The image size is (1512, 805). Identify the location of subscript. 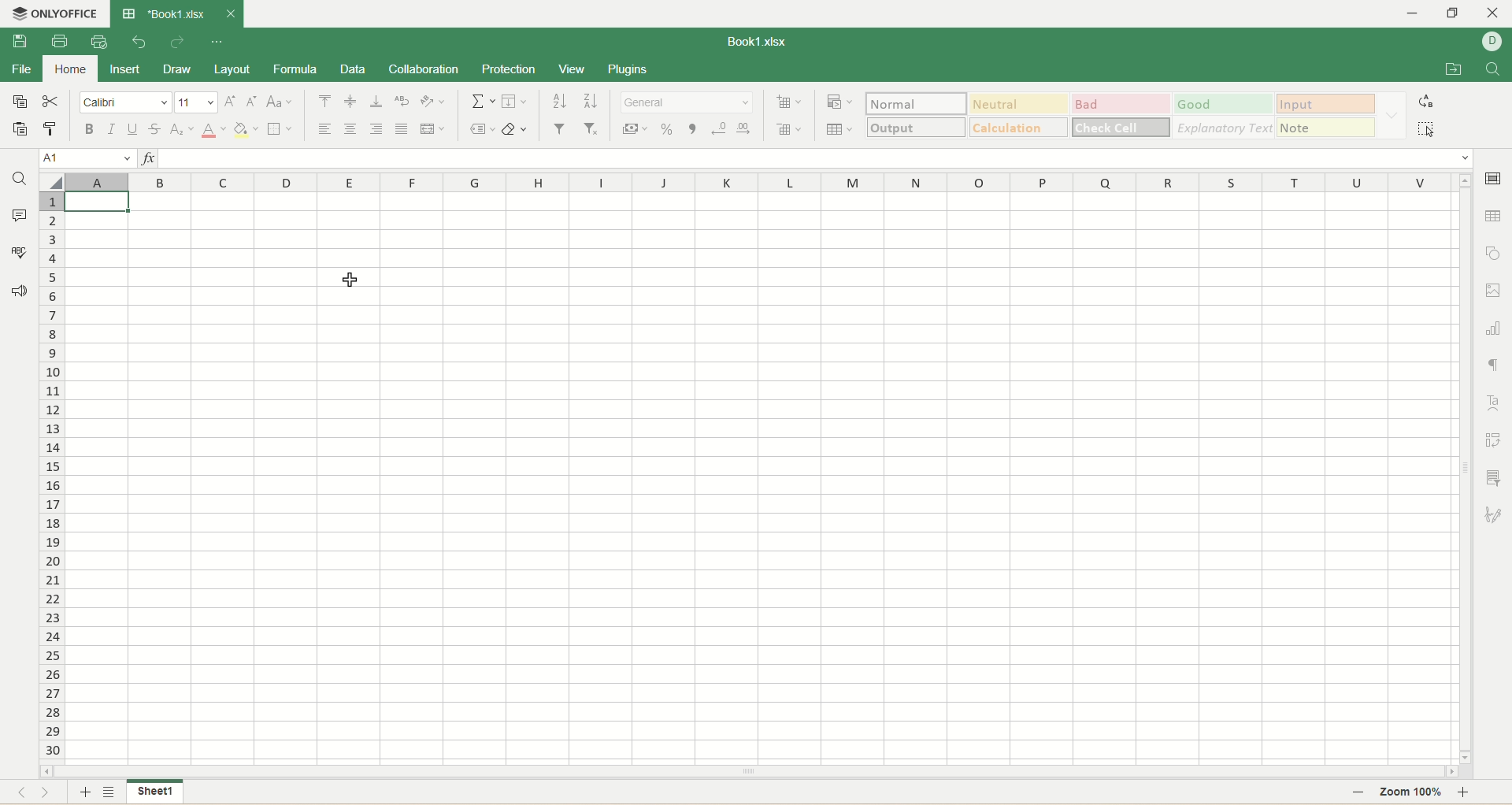
(184, 131).